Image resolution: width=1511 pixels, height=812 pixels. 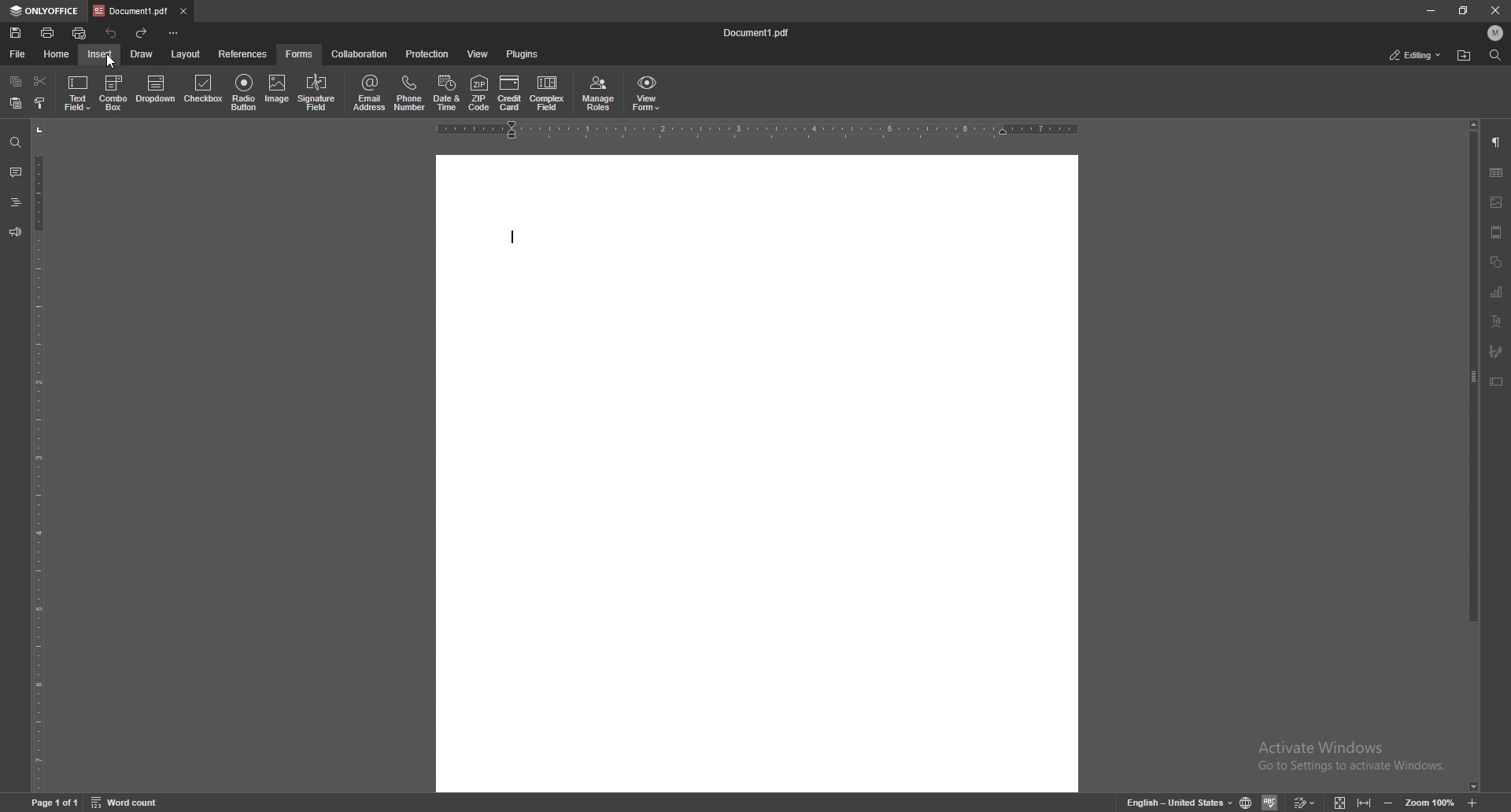 I want to click on undo, so click(x=112, y=34).